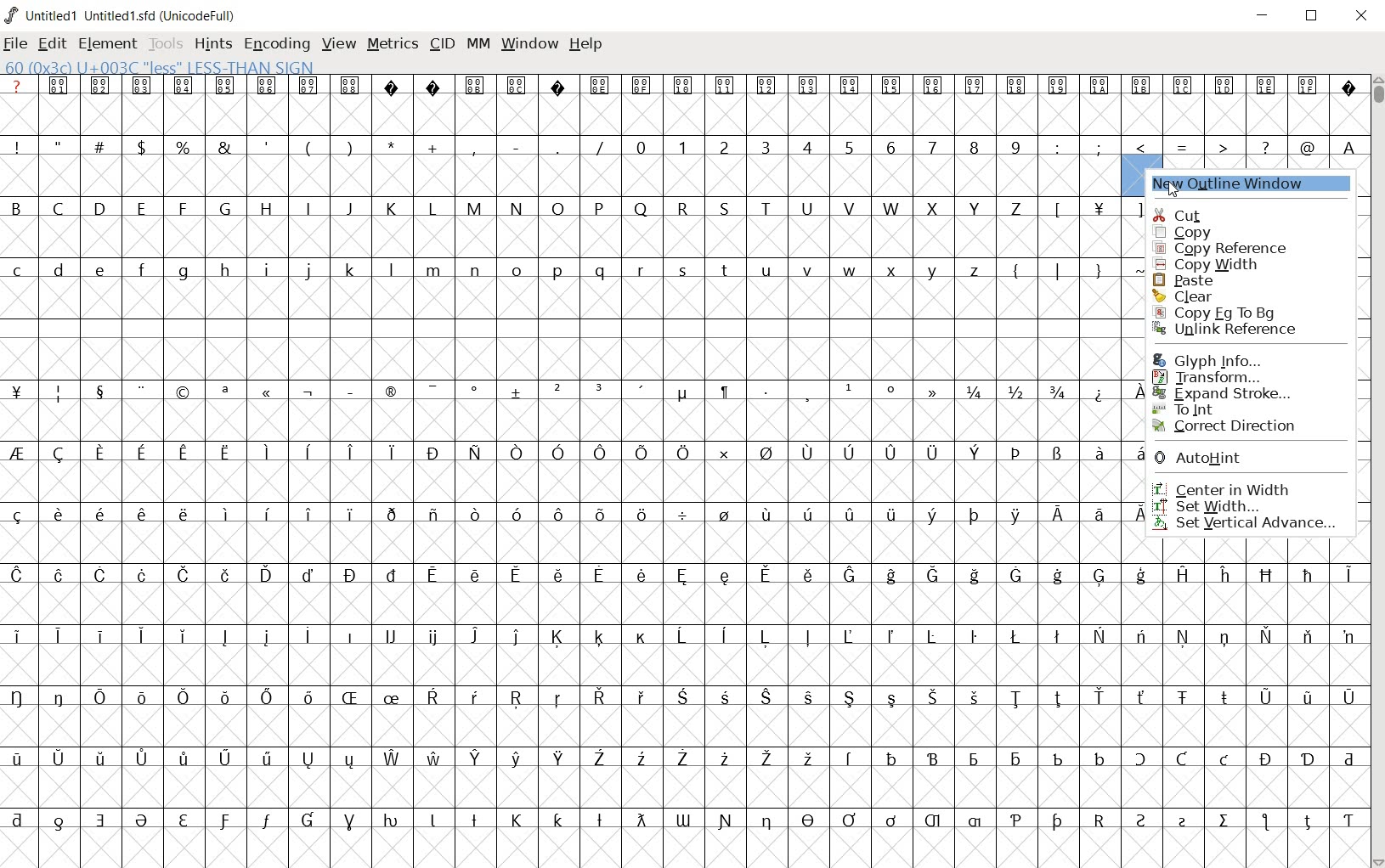 This screenshot has width=1385, height=868. I want to click on , so click(680, 697).